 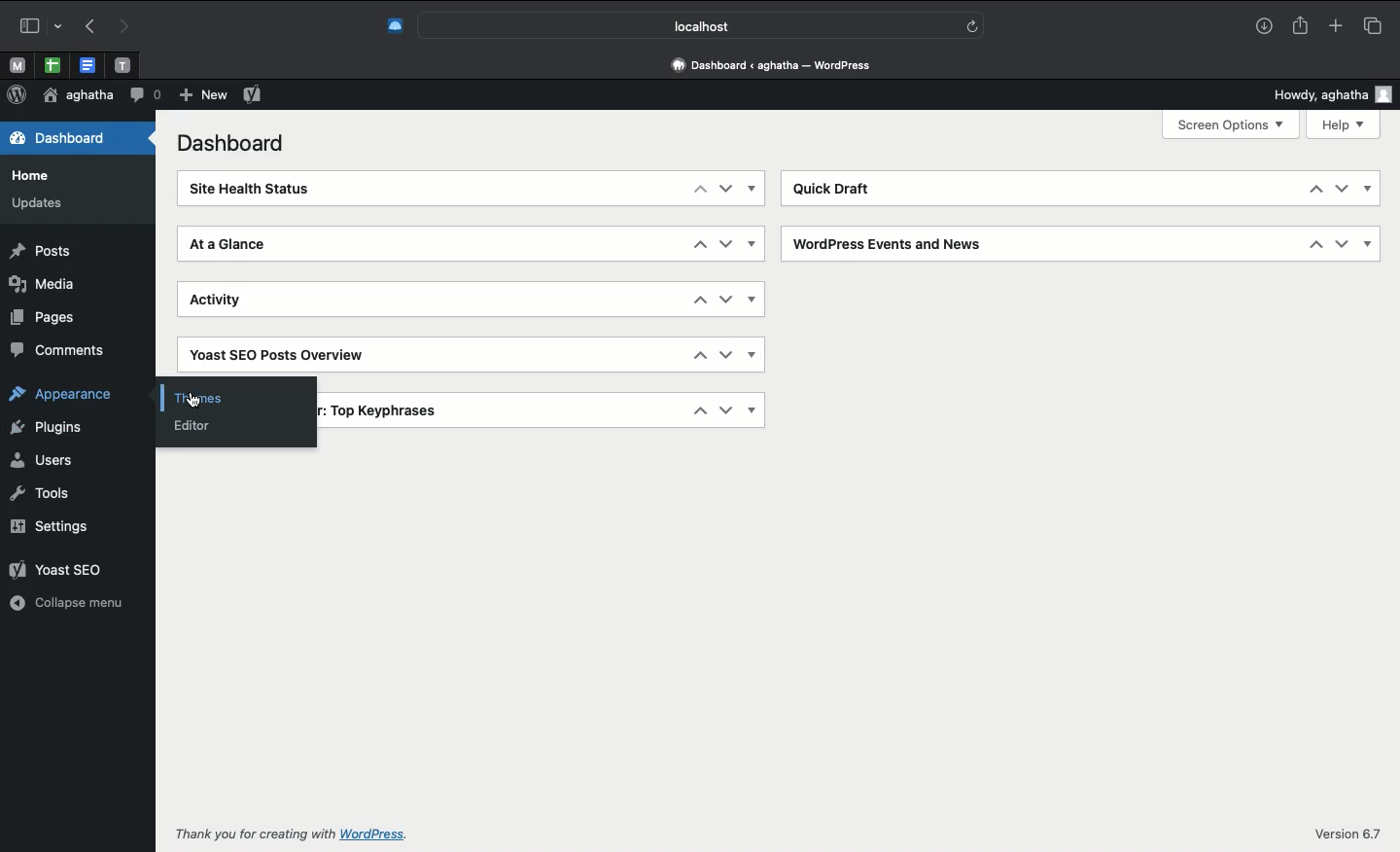 I want to click on Sidebar, so click(x=36, y=26).